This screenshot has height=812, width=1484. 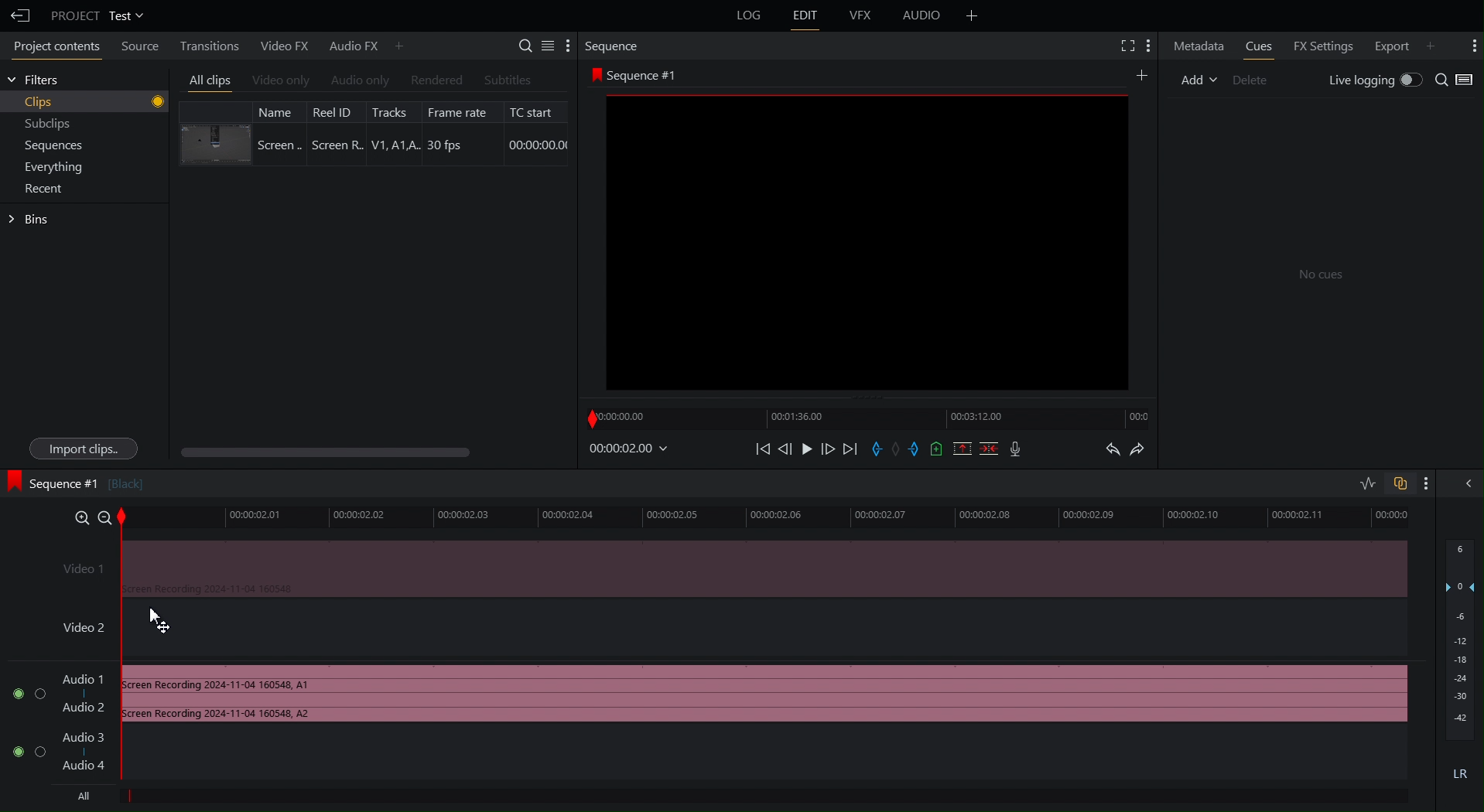 I want to click on Hide, so click(x=1465, y=484).